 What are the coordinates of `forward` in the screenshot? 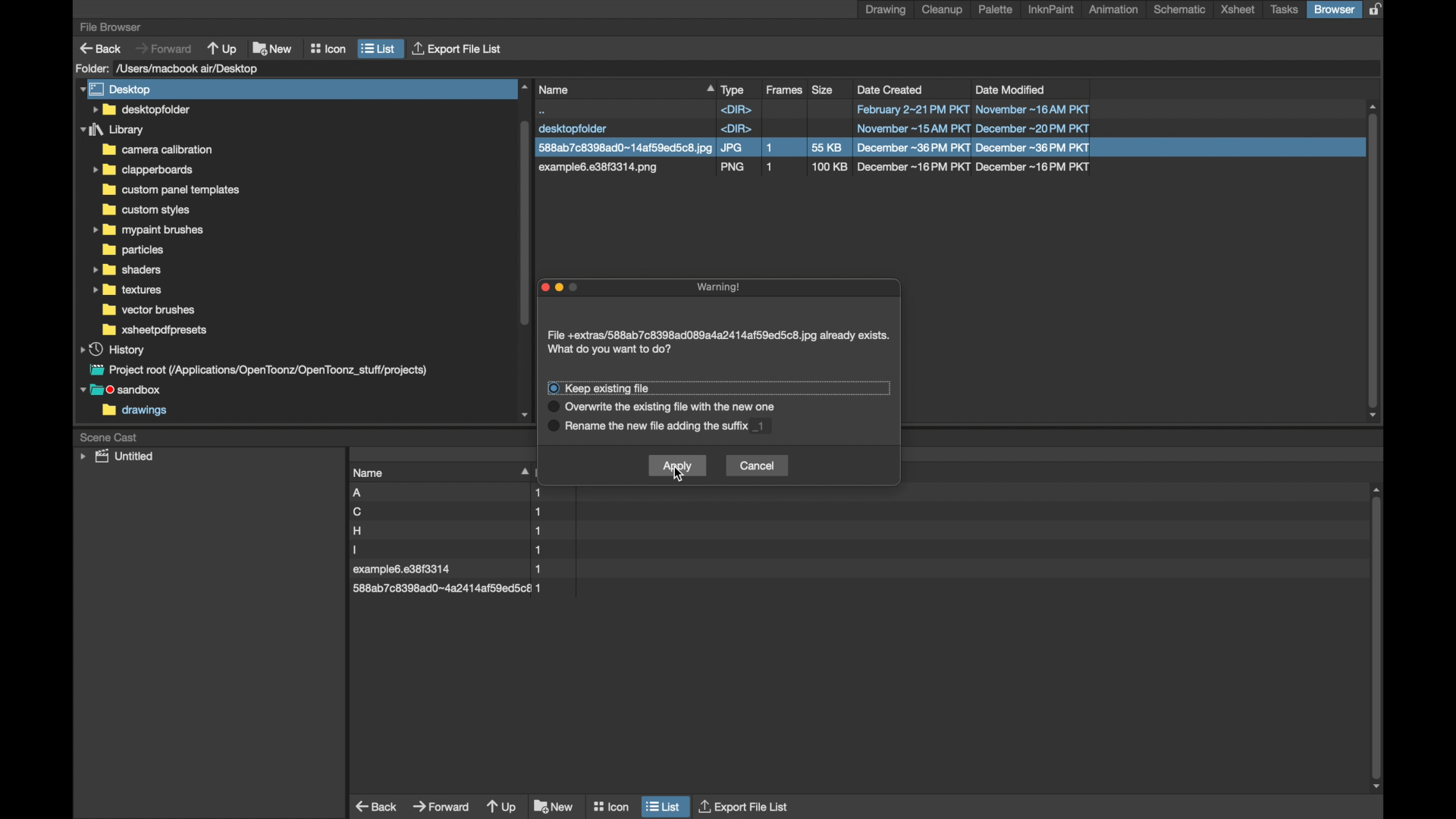 It's located at (441, 805).